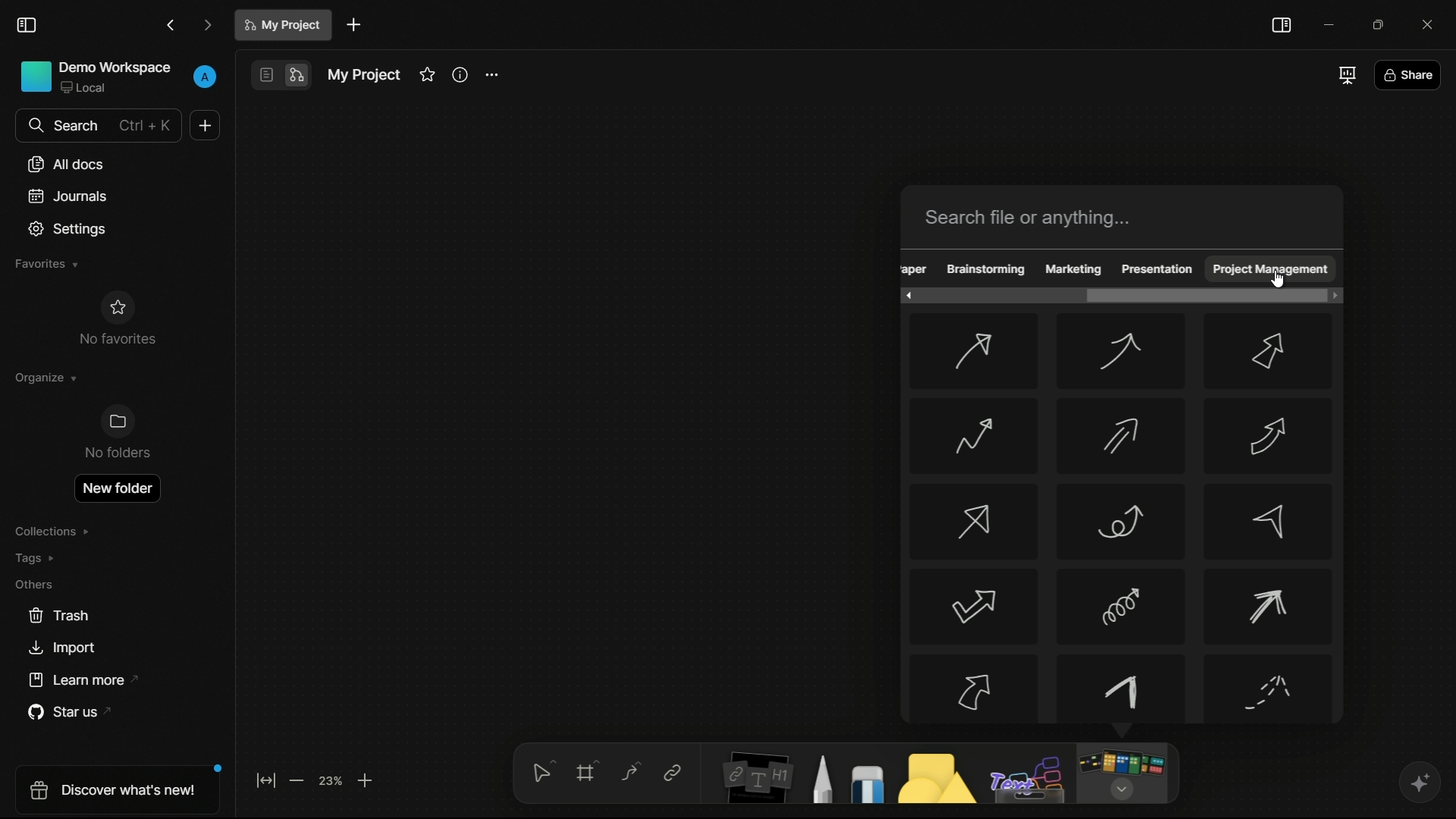 Image resolution: width=1456 pixels, height=819 pixels. Describe the element at coordinates (1432, 24) in the screenshot. I see `close app` at that location.